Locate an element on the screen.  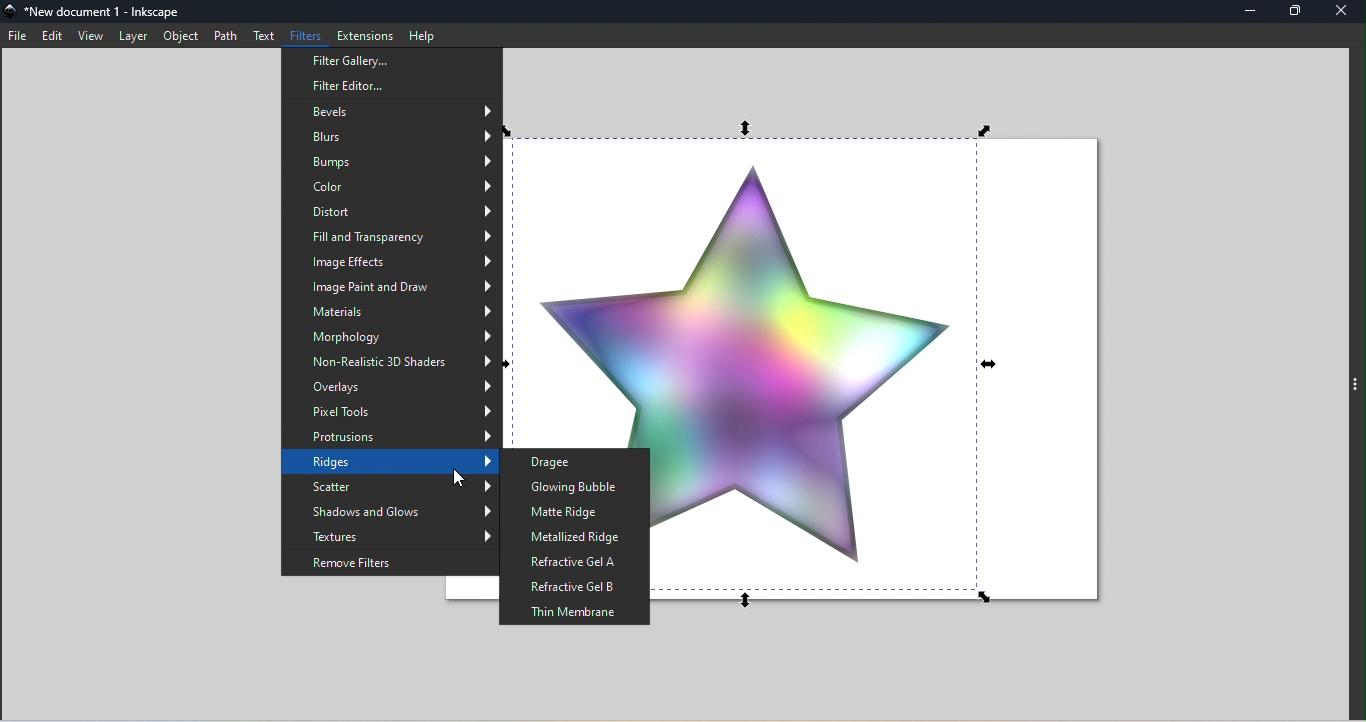
Maximize is located at coordinates (1300, 11).